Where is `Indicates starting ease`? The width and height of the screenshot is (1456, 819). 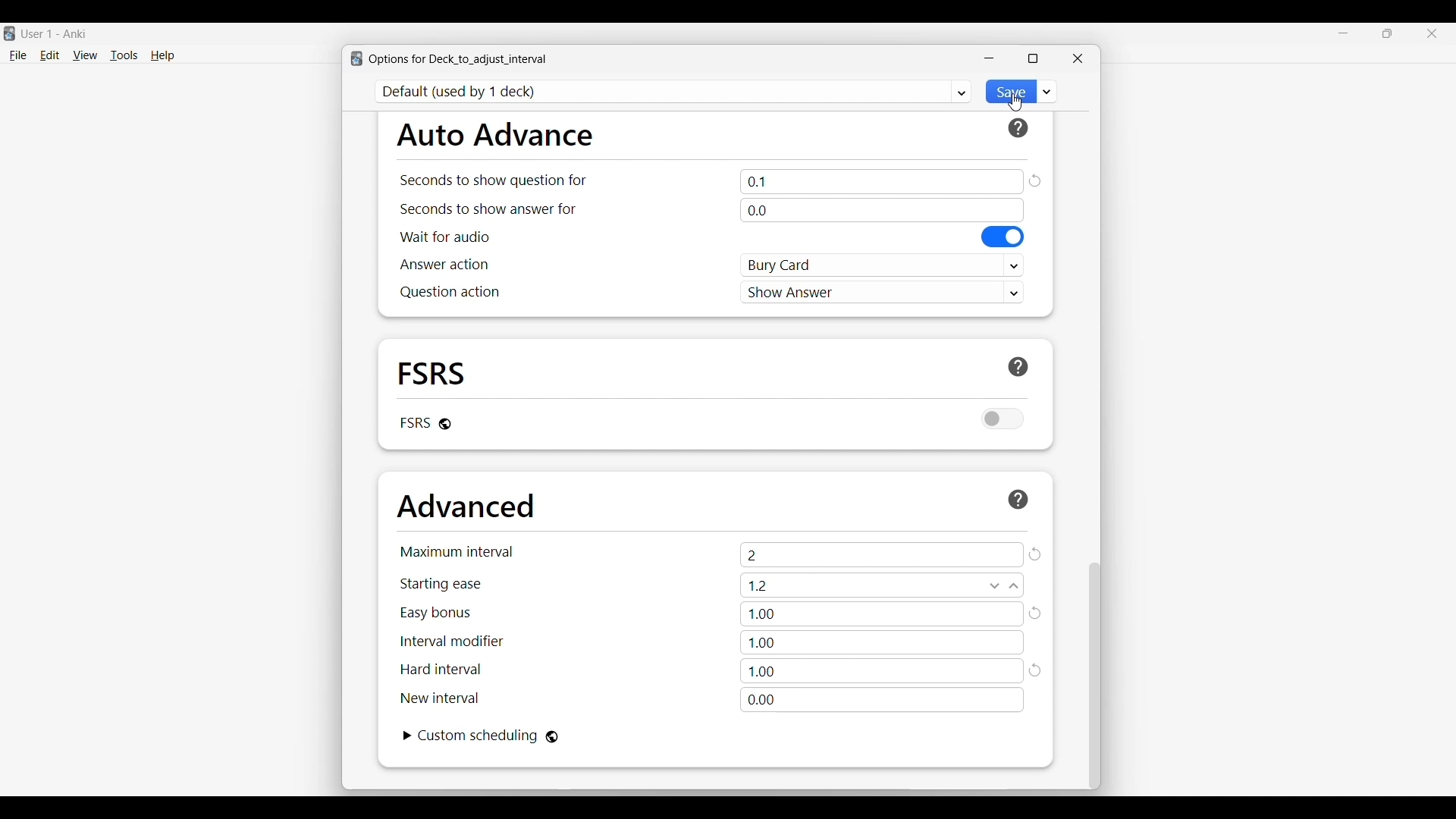 Indicates starting ease is located at coordinates (442, 584).